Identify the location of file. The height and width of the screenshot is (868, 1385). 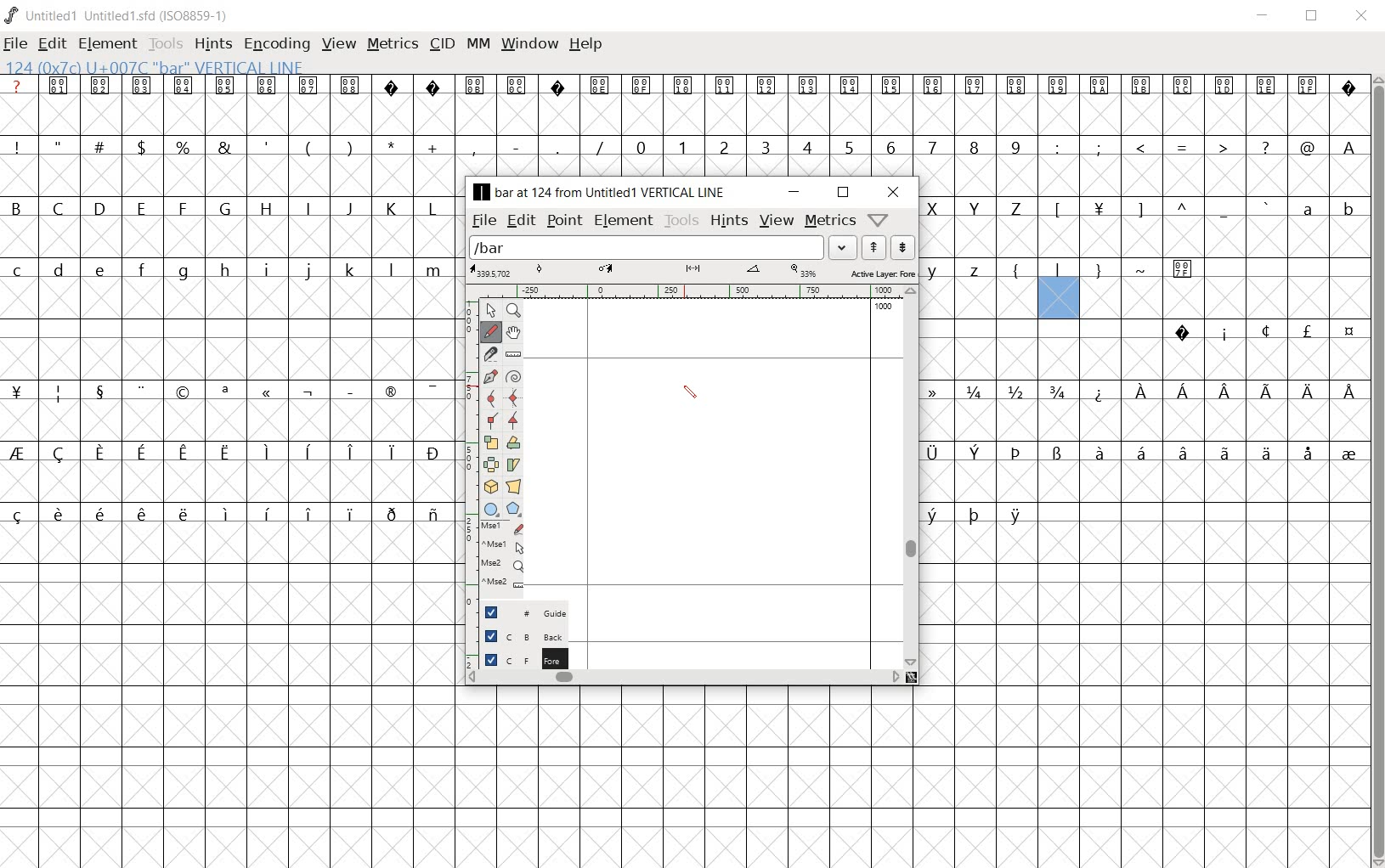
(483, 222).